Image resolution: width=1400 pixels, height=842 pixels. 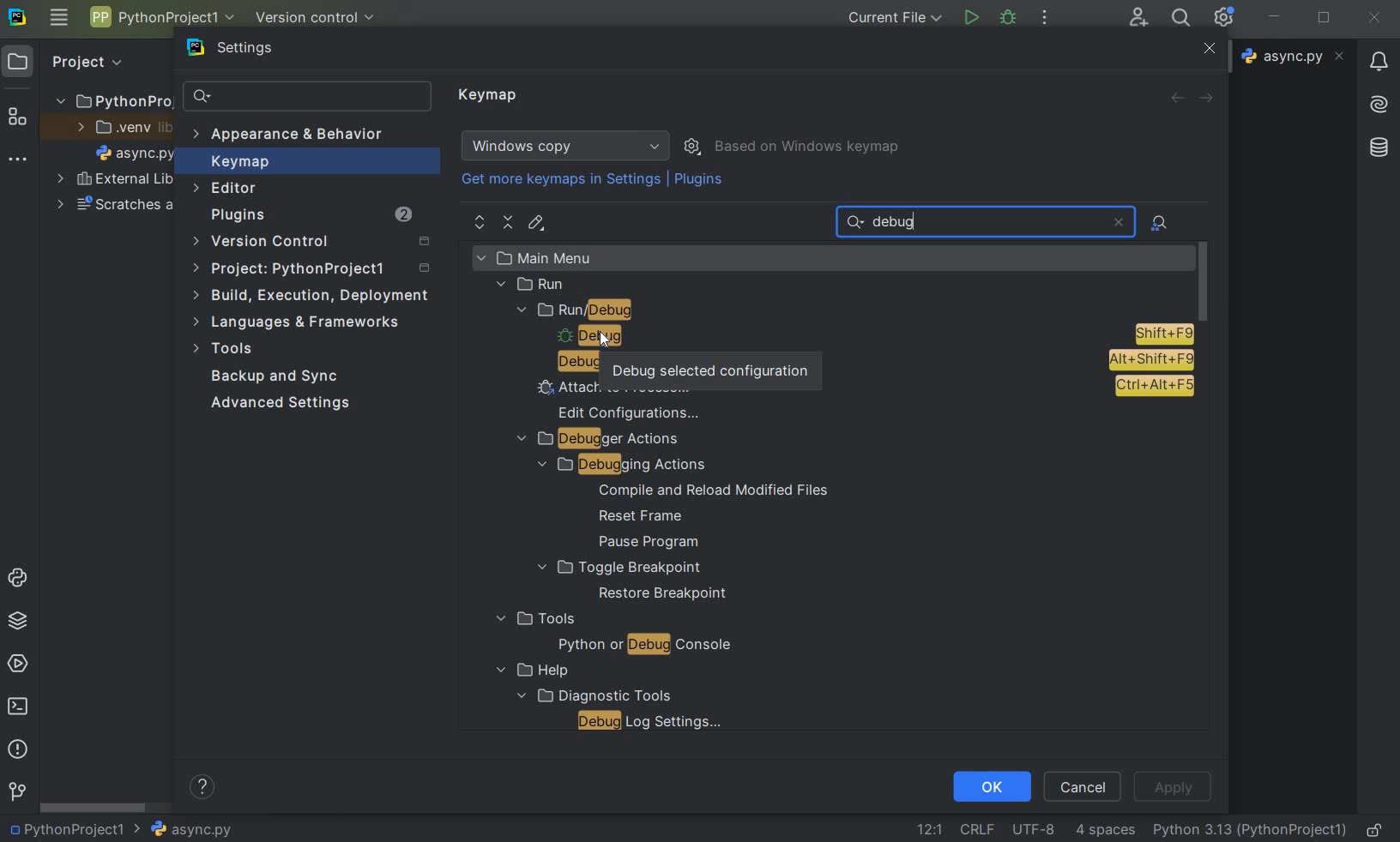 I want to click on database, so click(x=1381, y=145).